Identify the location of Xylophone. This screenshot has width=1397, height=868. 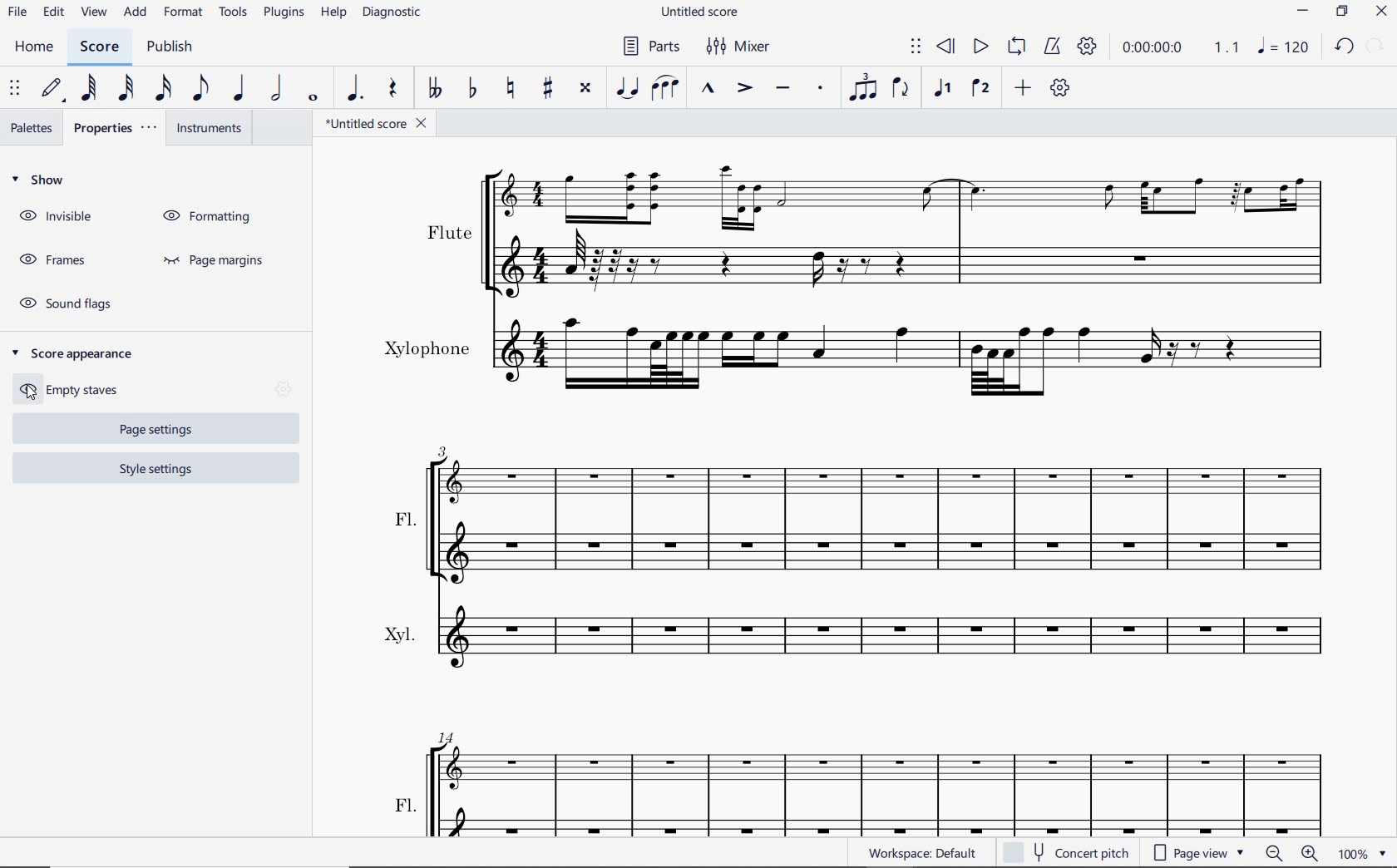
(852, 355).